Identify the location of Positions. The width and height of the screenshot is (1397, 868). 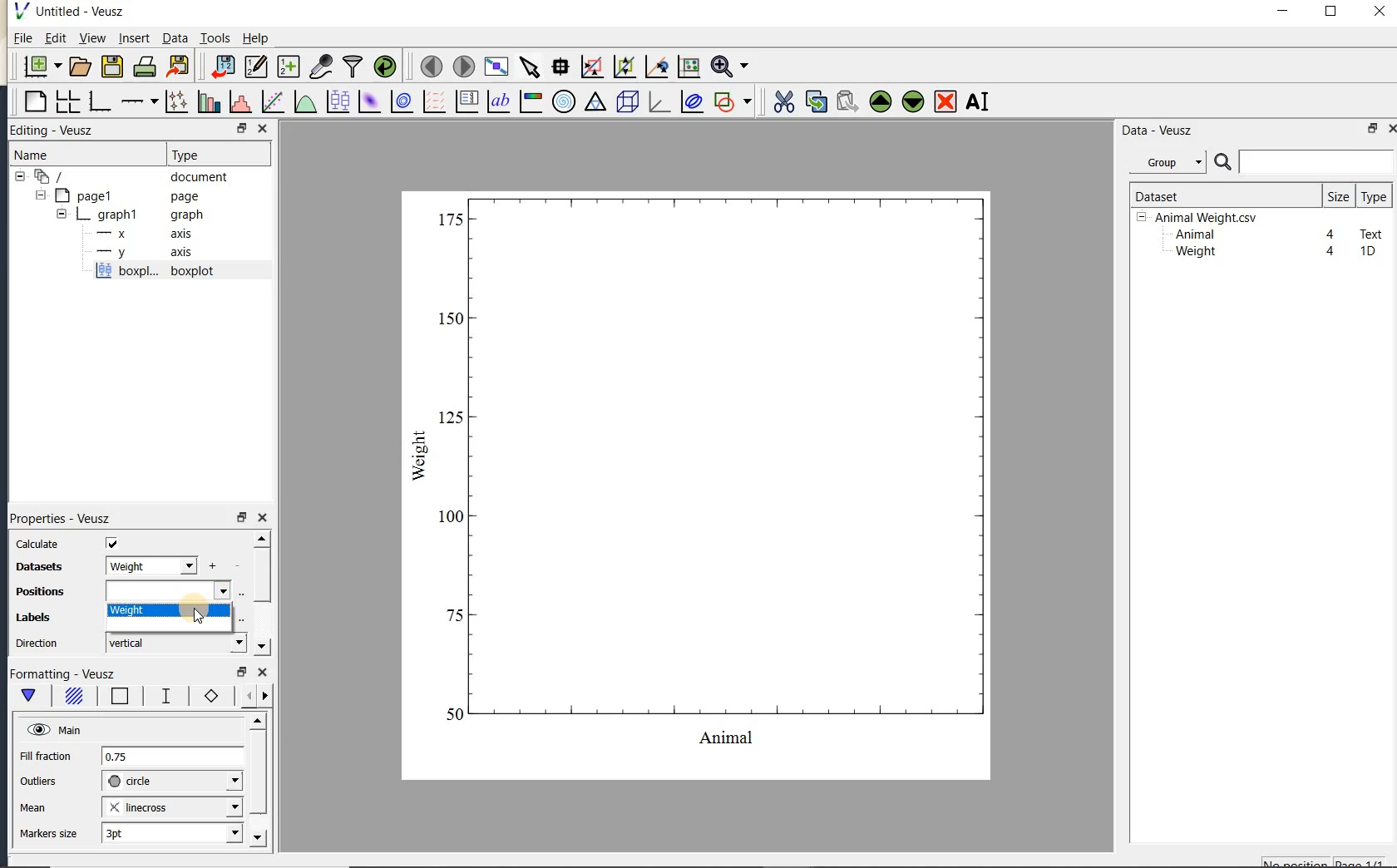
(34, 593).